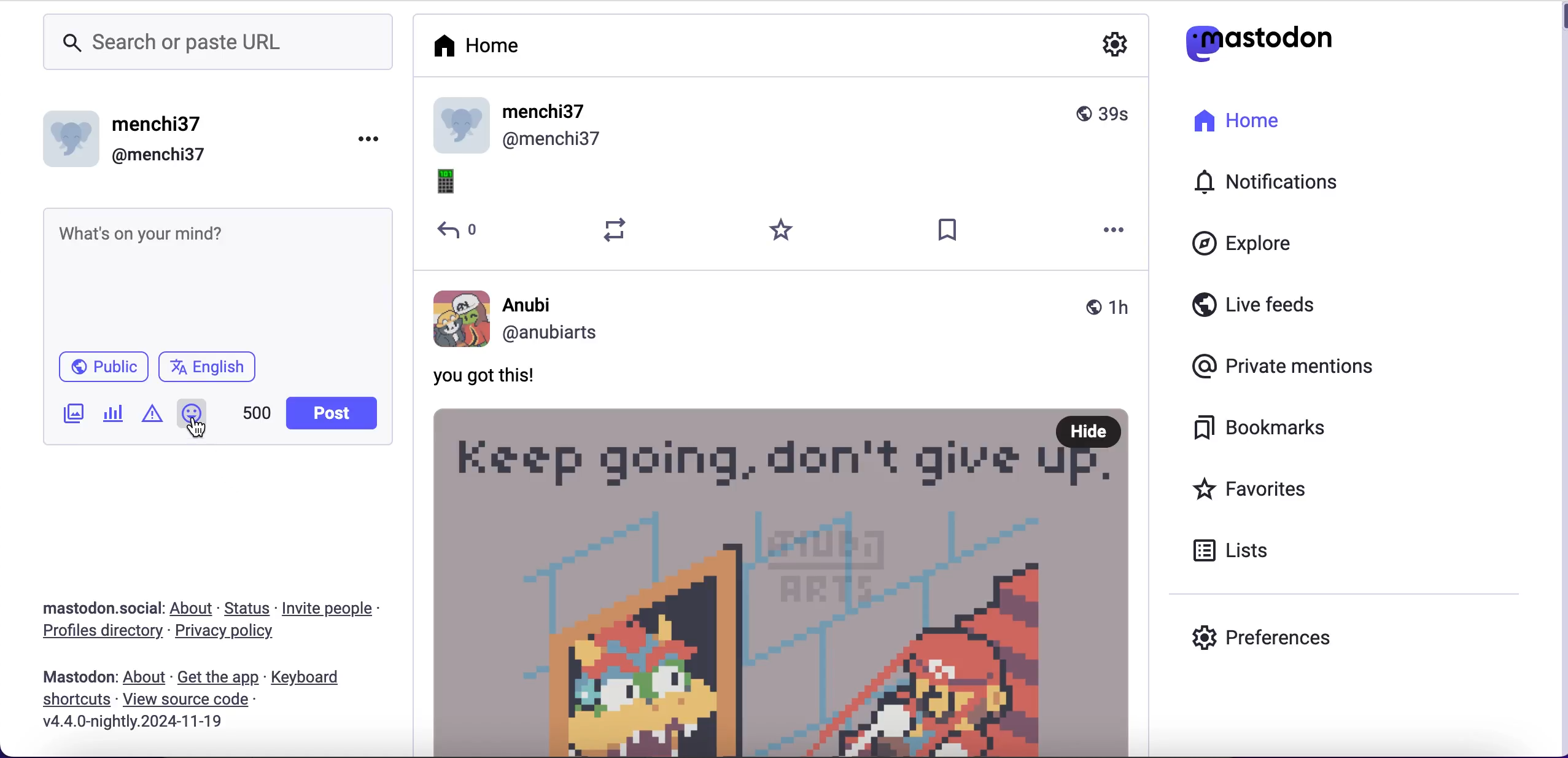  Describe the element at coordinates (785, 581) in the screenshot. I see `post` at that location.